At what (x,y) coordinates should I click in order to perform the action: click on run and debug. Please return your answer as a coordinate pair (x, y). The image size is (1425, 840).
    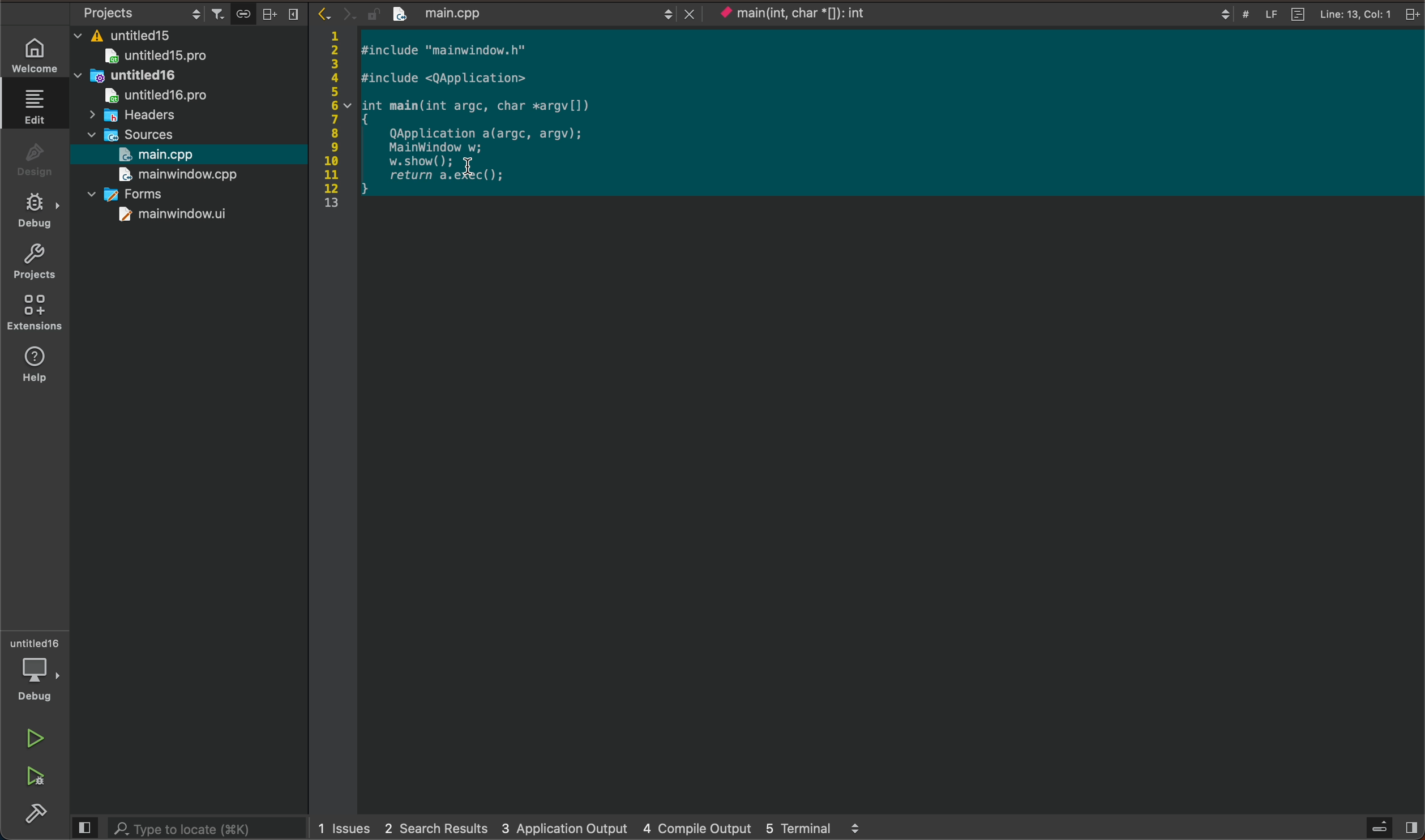
    Looking at the image, I should click on (29, 775).